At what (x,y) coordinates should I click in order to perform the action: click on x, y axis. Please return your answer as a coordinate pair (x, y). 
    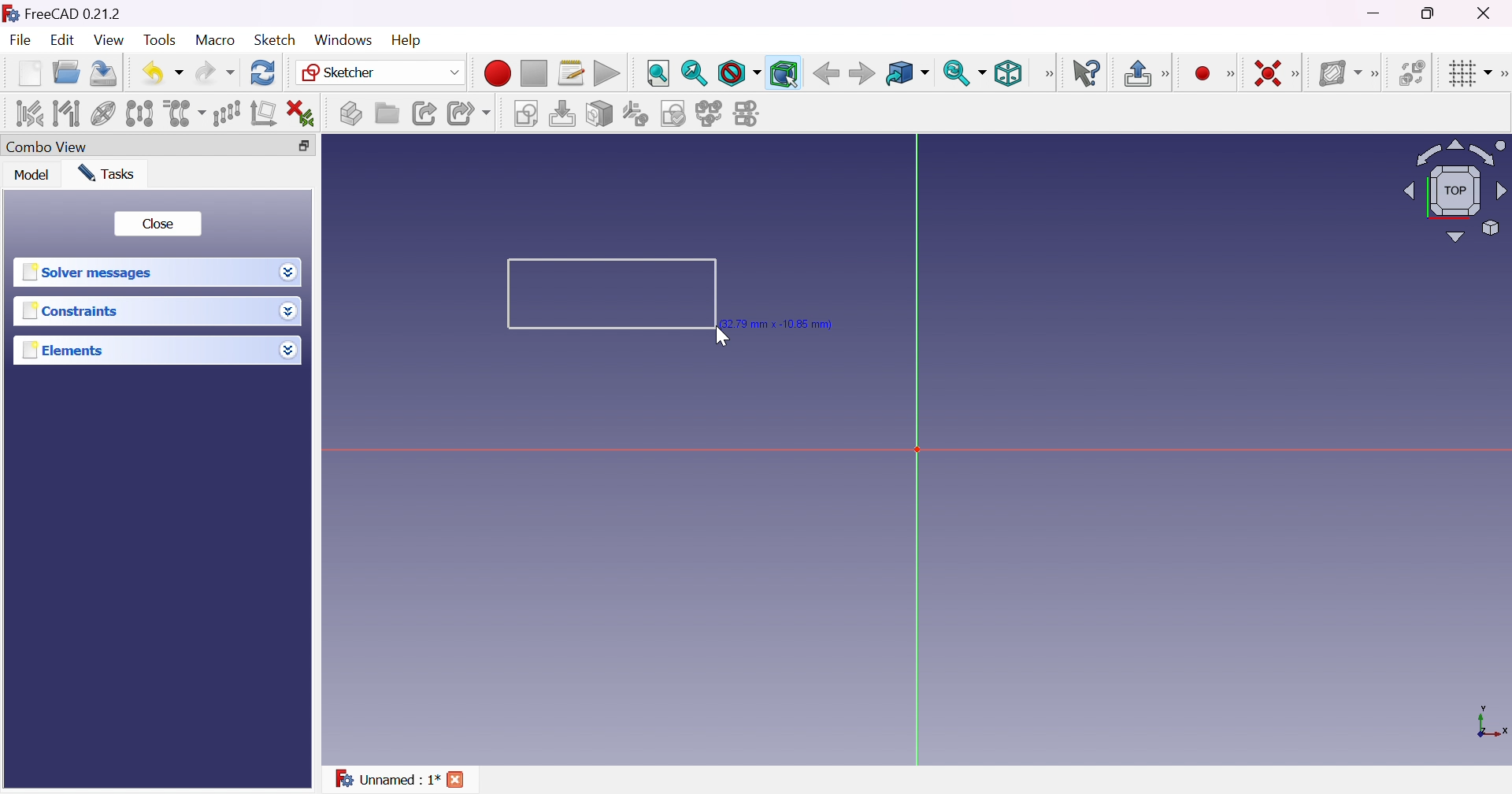
    Looking at the image, I should click on (1489, 723).